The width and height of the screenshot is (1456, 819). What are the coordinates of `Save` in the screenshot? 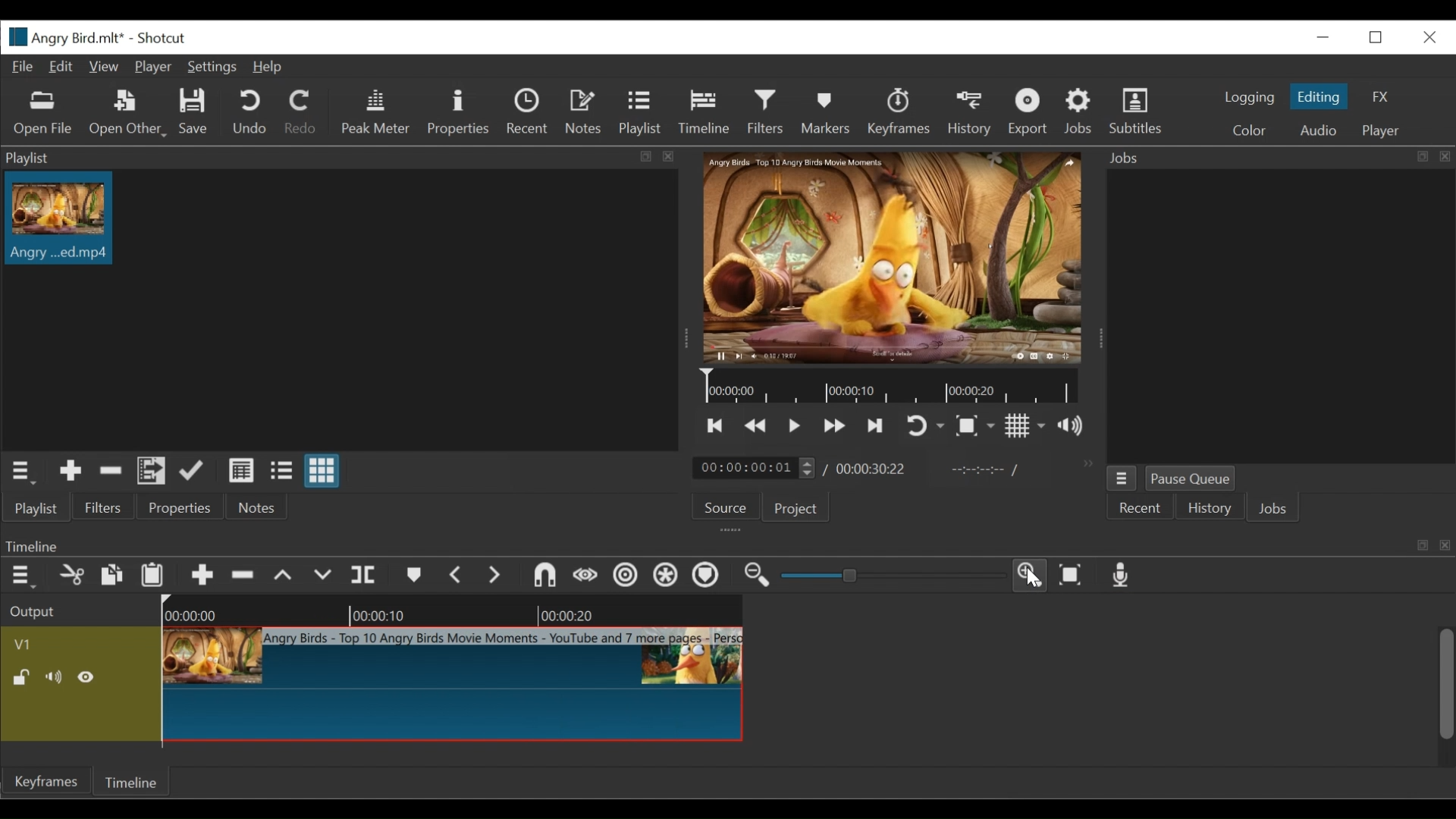 It's located at (194, 111).